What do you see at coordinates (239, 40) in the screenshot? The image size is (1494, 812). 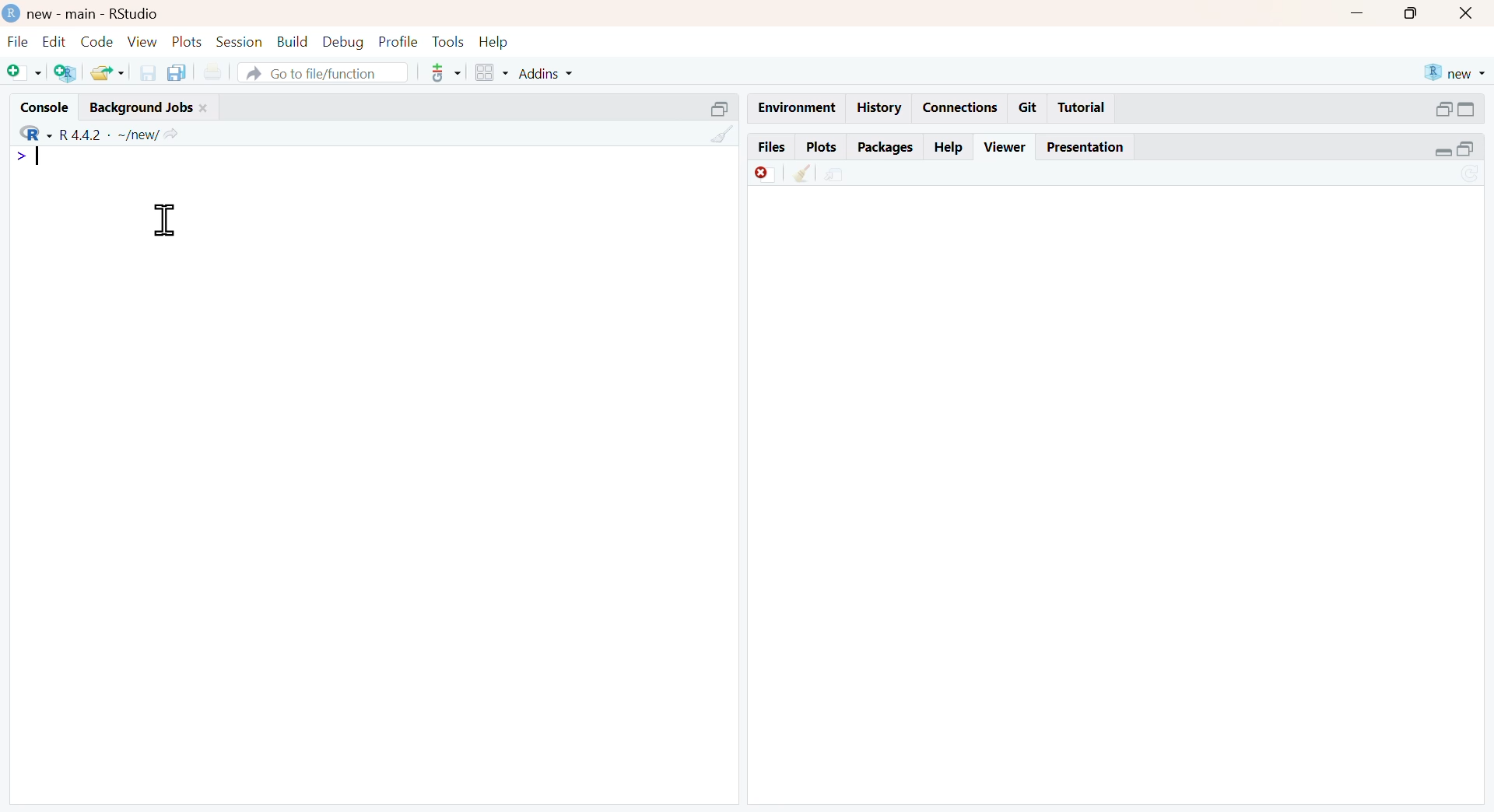 I see `Session` at bounding box center [239, 40].